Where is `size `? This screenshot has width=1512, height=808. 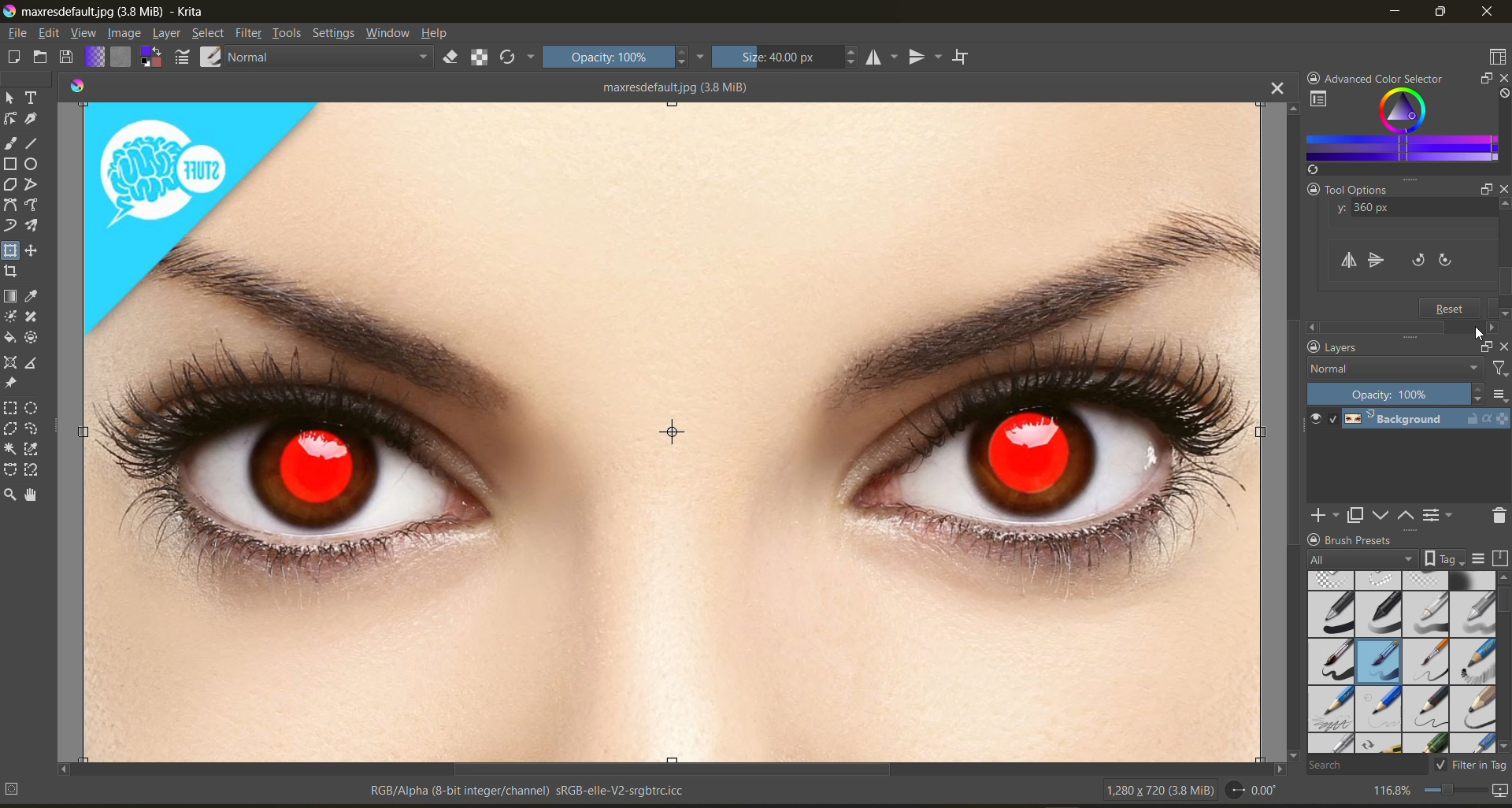
size  is located at coordinates (789, 57).